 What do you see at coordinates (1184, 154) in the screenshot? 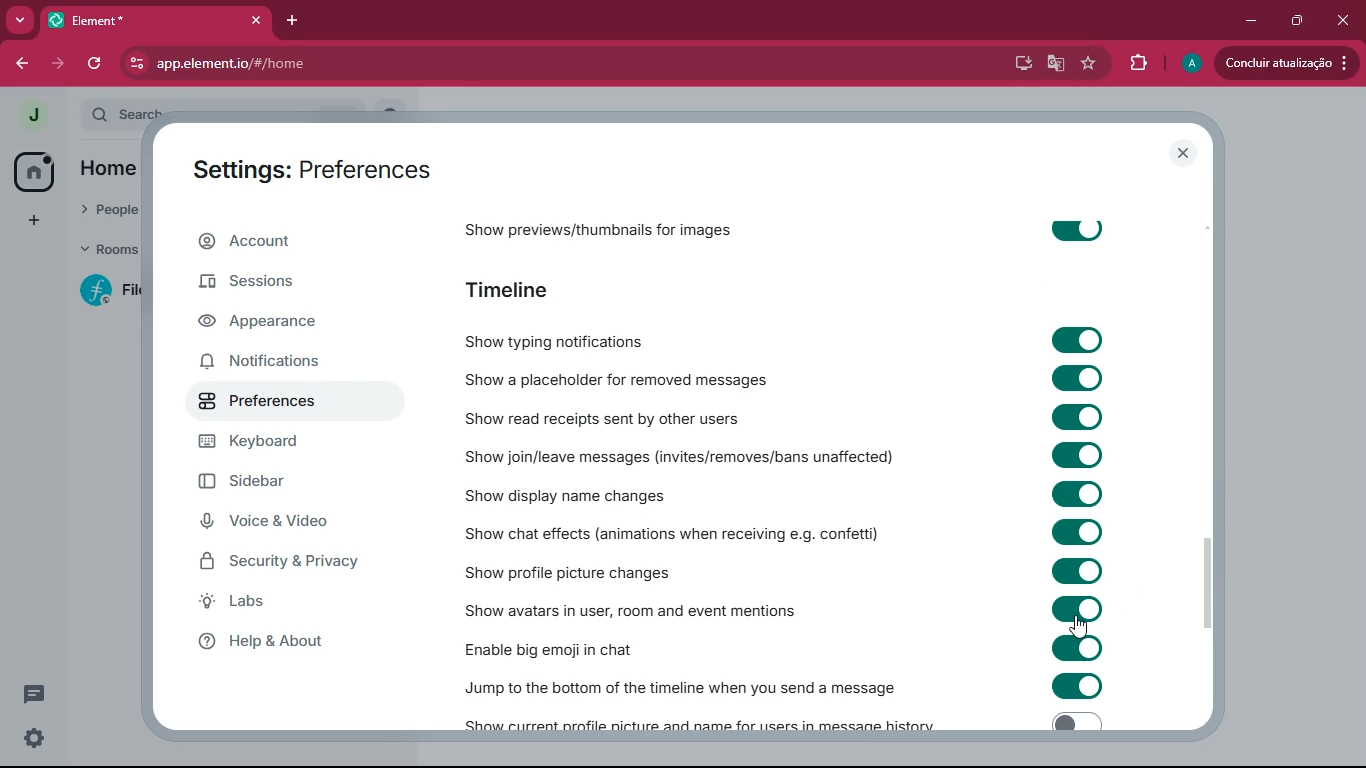
I see `close` at bounding box center [1184, 154].